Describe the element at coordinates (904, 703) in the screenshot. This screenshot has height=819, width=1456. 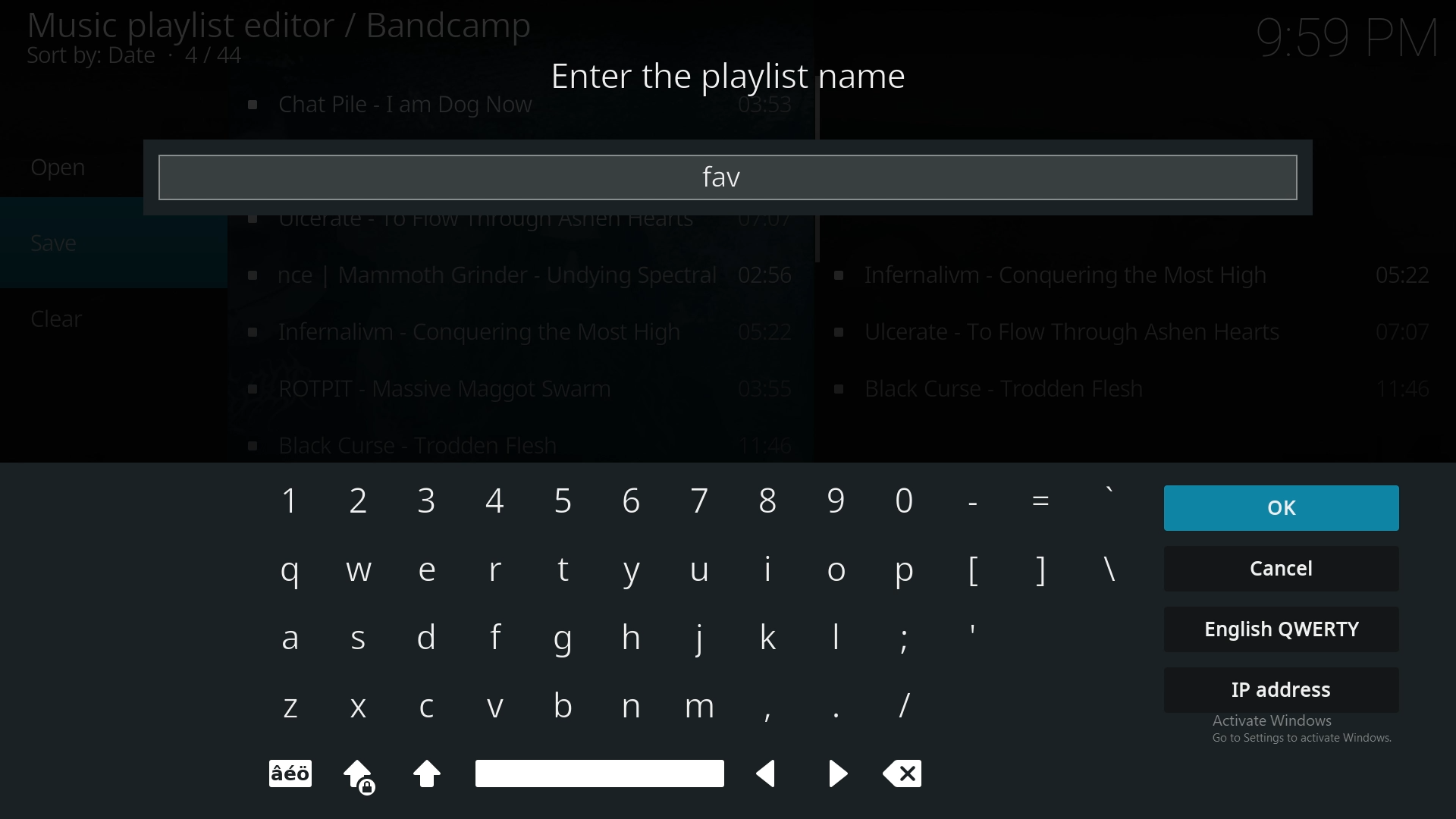
I see `keyboard input` at that location.